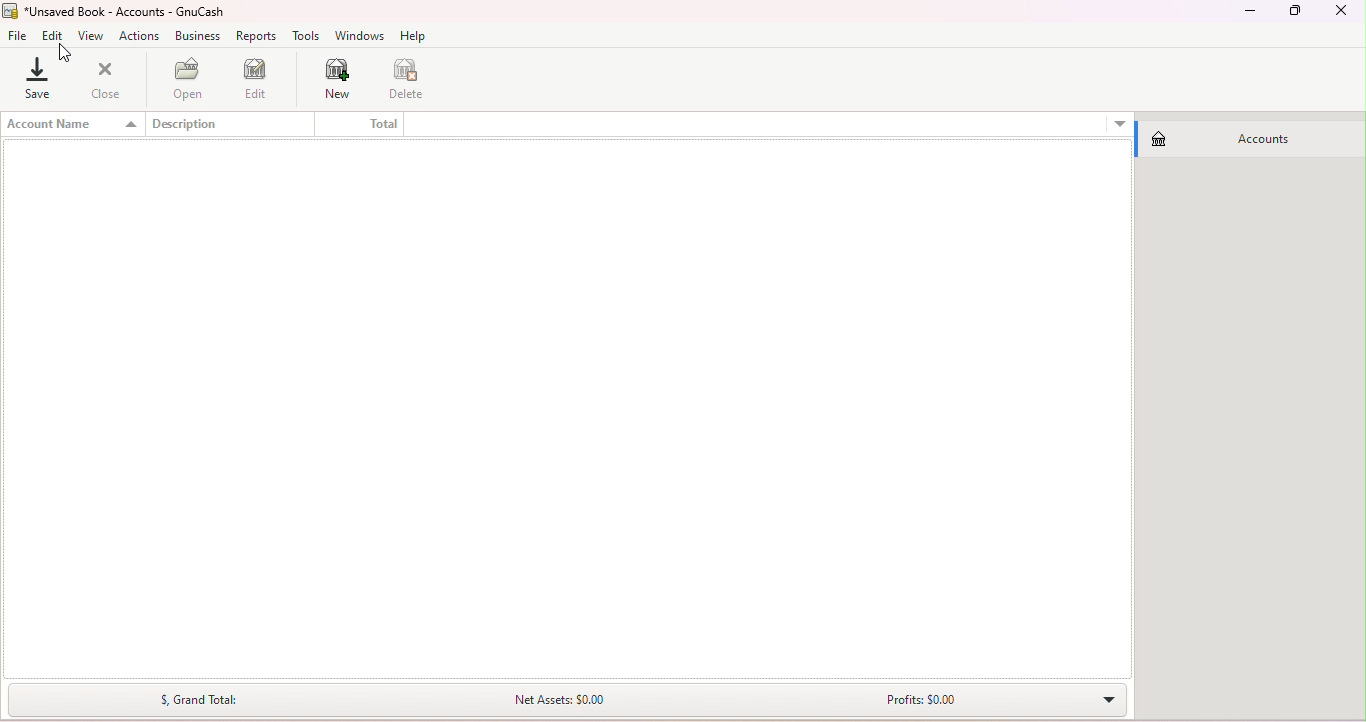  I want to click on Close, so click(110, 83).